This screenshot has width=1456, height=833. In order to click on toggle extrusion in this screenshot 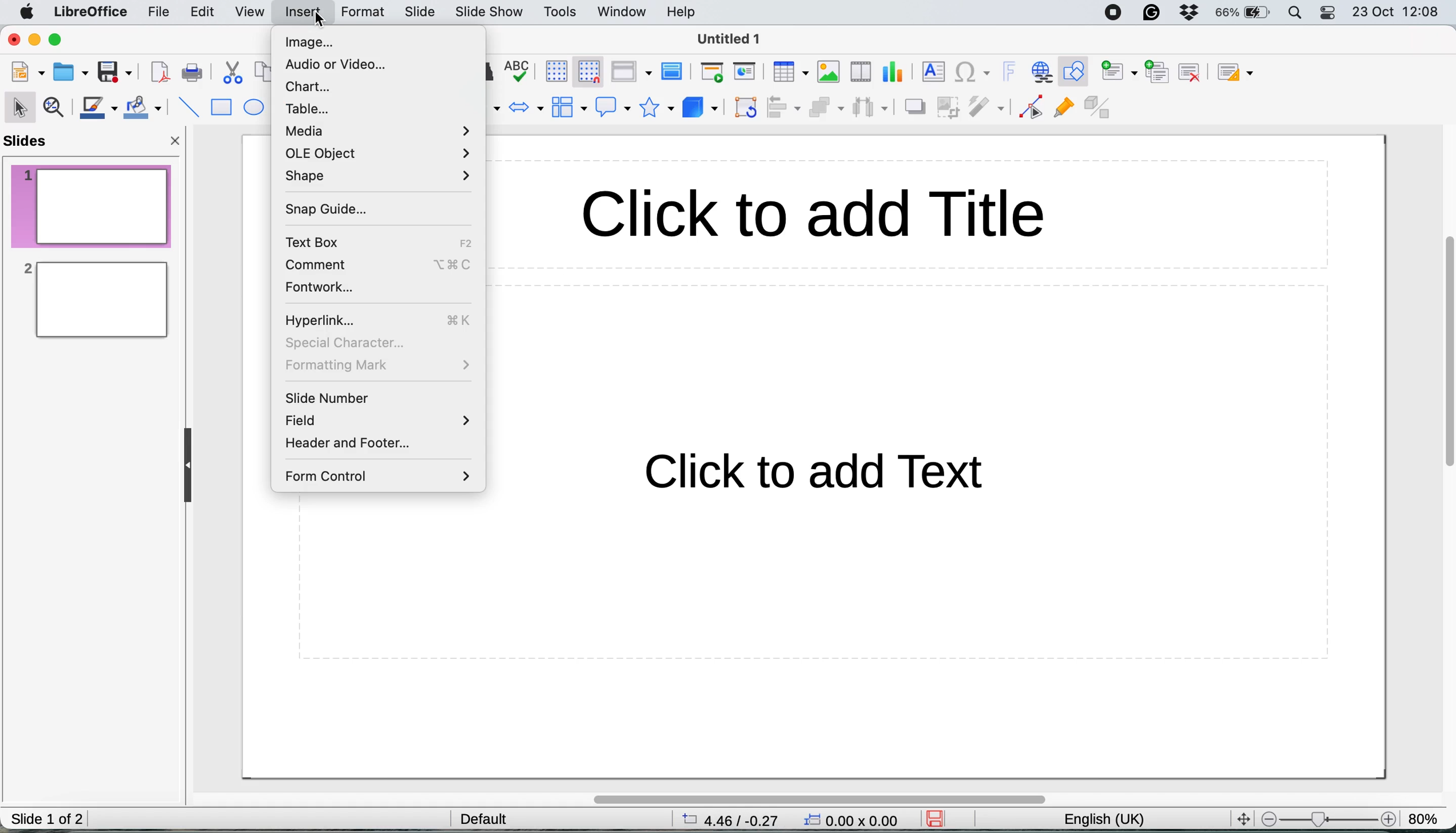, I will do `click(1100, 109)`.